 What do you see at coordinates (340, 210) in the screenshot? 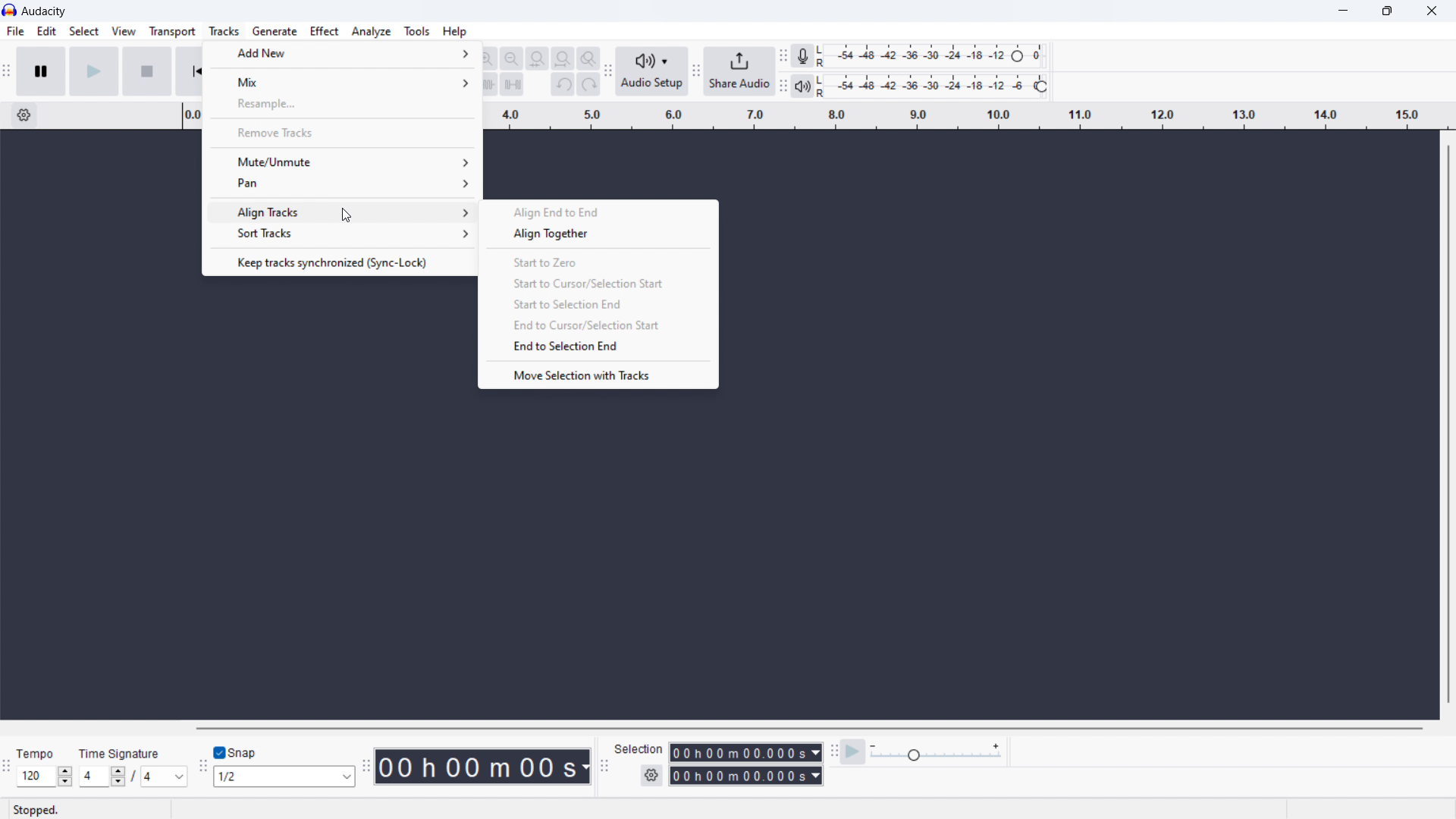
I see `align tracks` at bounding box center [340, 210].